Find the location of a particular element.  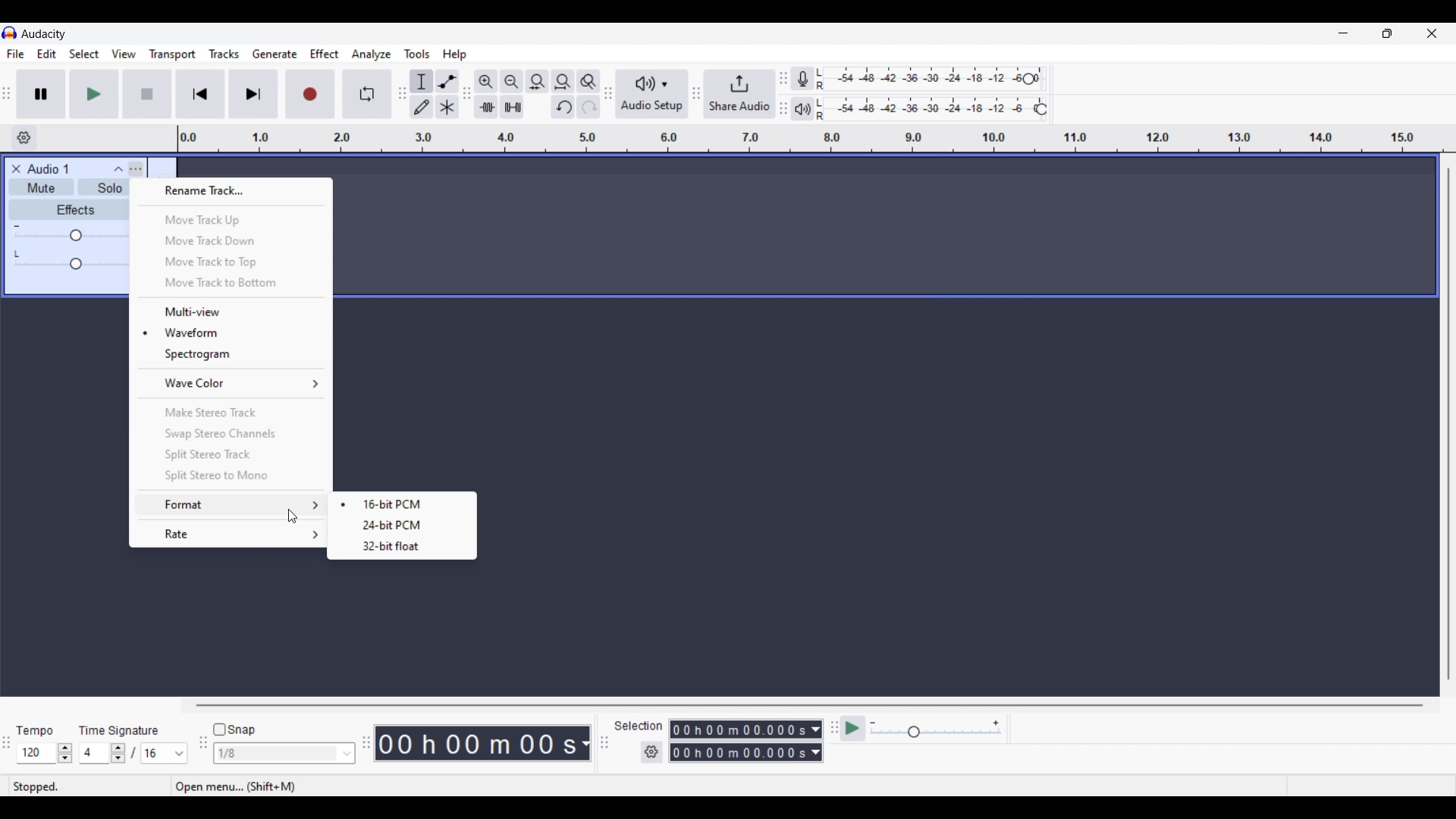

Solo is located at coordinates (109, 190).